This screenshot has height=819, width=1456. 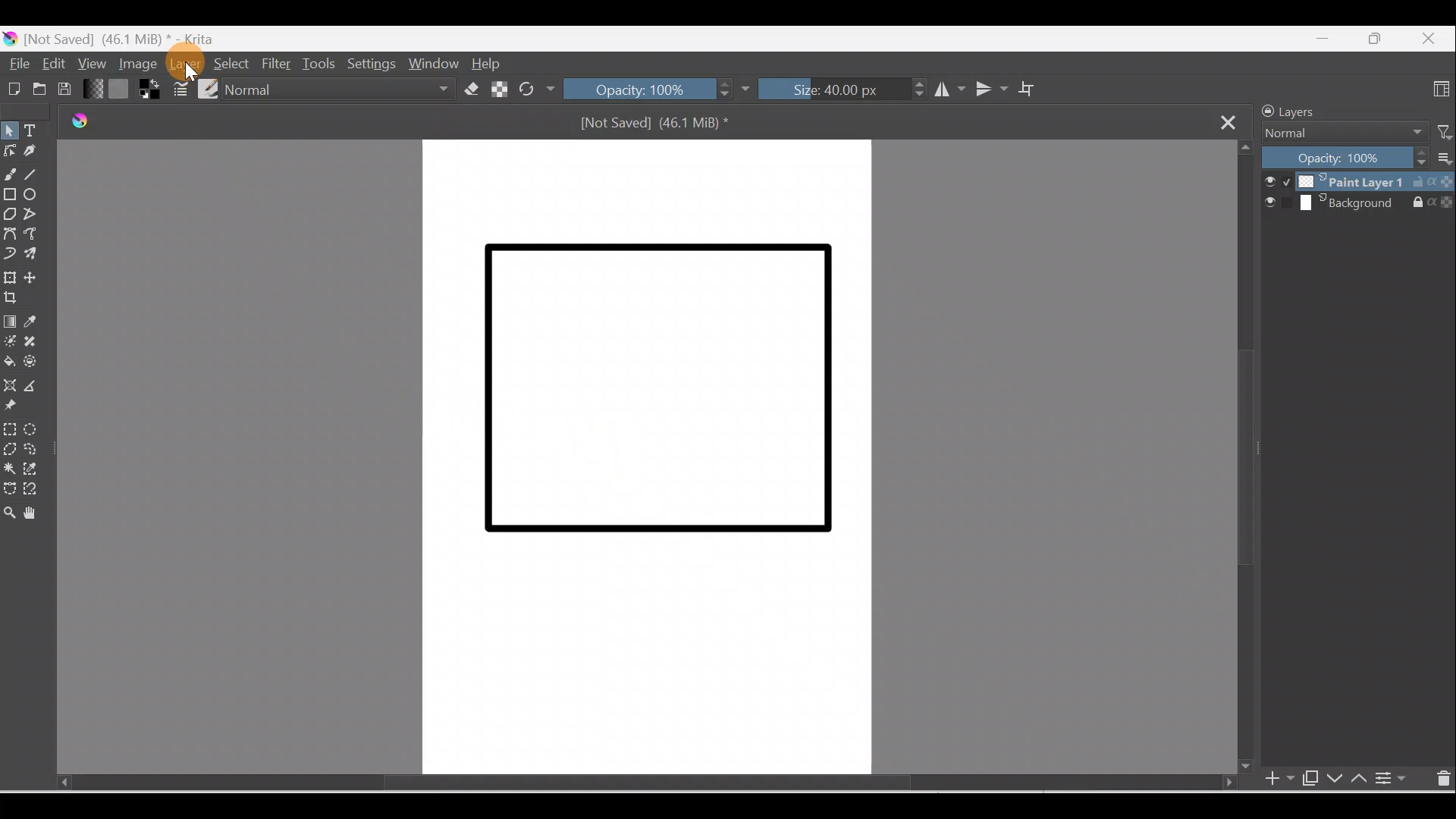 I want to click on Close tab, so click(x=1232, y=122).